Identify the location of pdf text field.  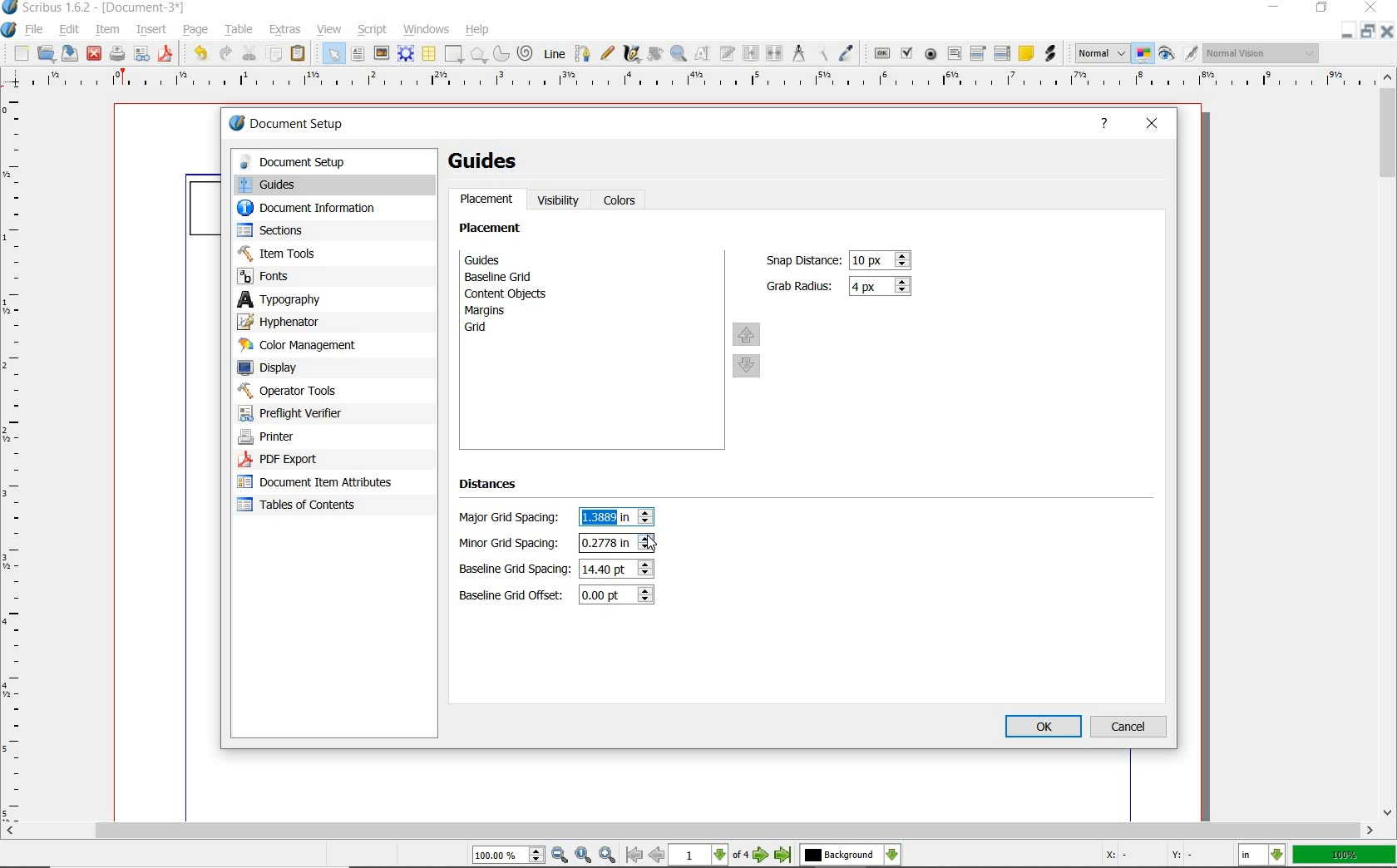
(955, 53).